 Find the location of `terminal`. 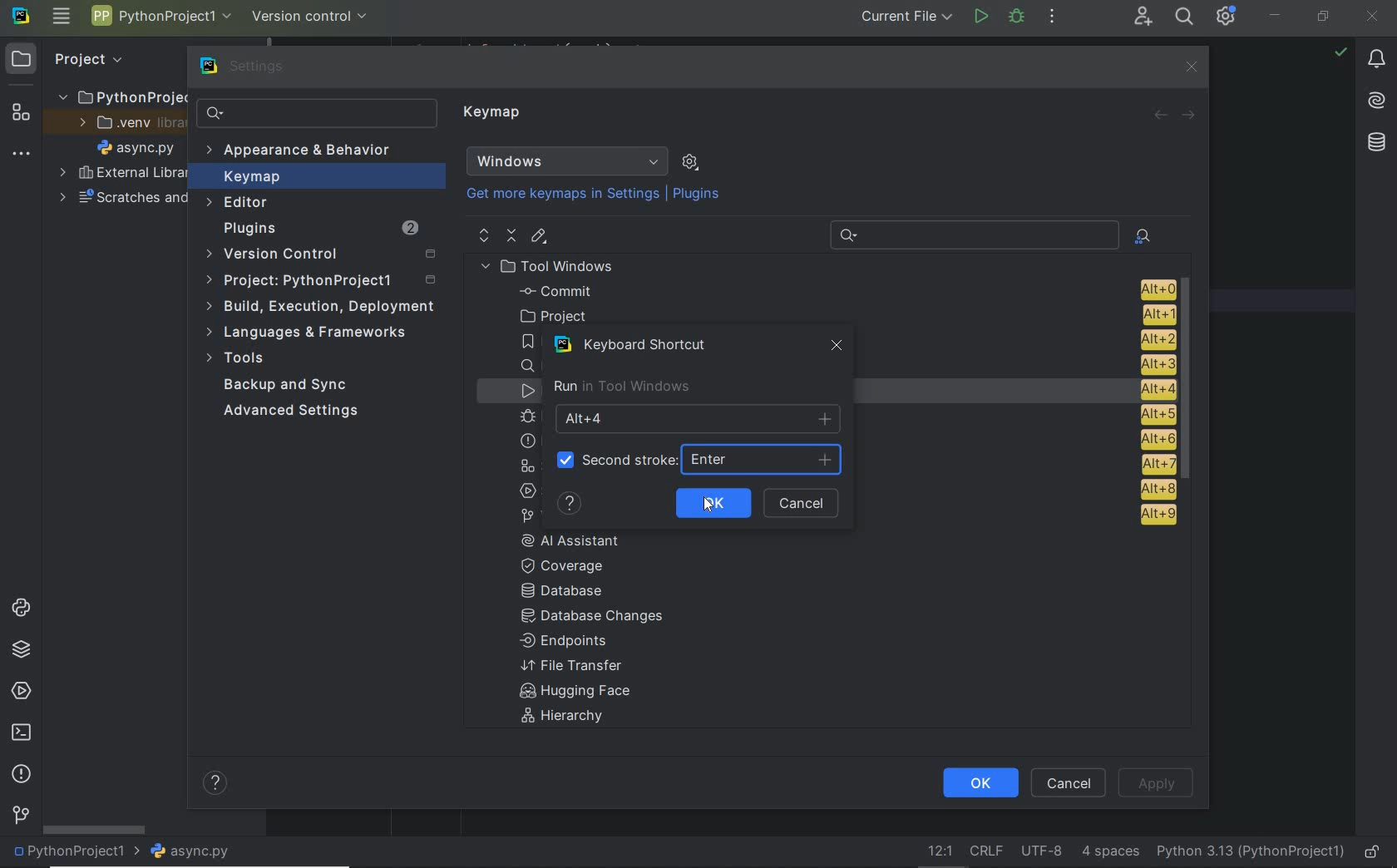

terminal is located at coordinates (20, 733).